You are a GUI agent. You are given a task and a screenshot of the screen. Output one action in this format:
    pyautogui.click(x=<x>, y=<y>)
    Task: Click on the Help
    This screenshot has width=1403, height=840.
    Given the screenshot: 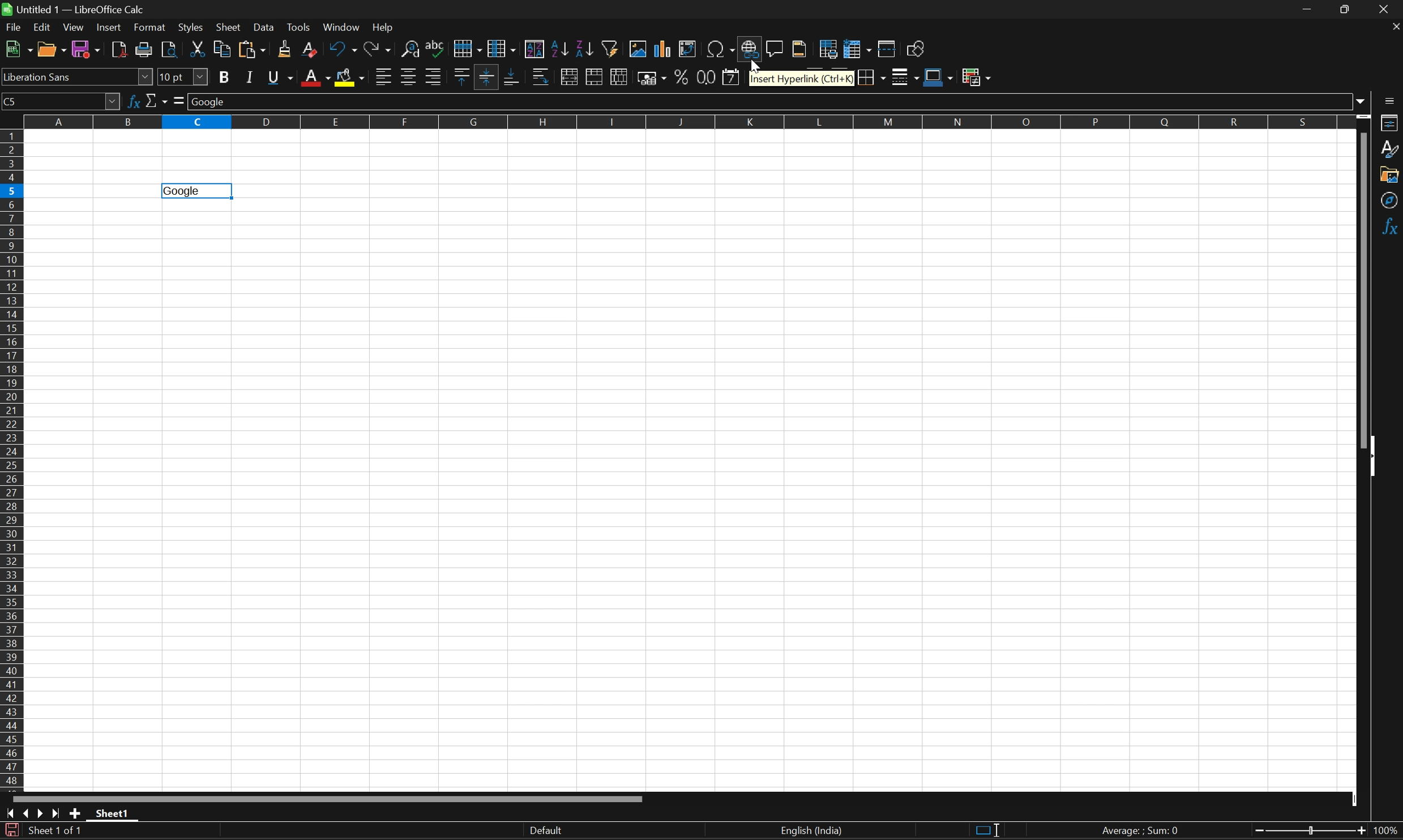 What is the action you would take?
    pyautogui.click(x=384, y=27)
    